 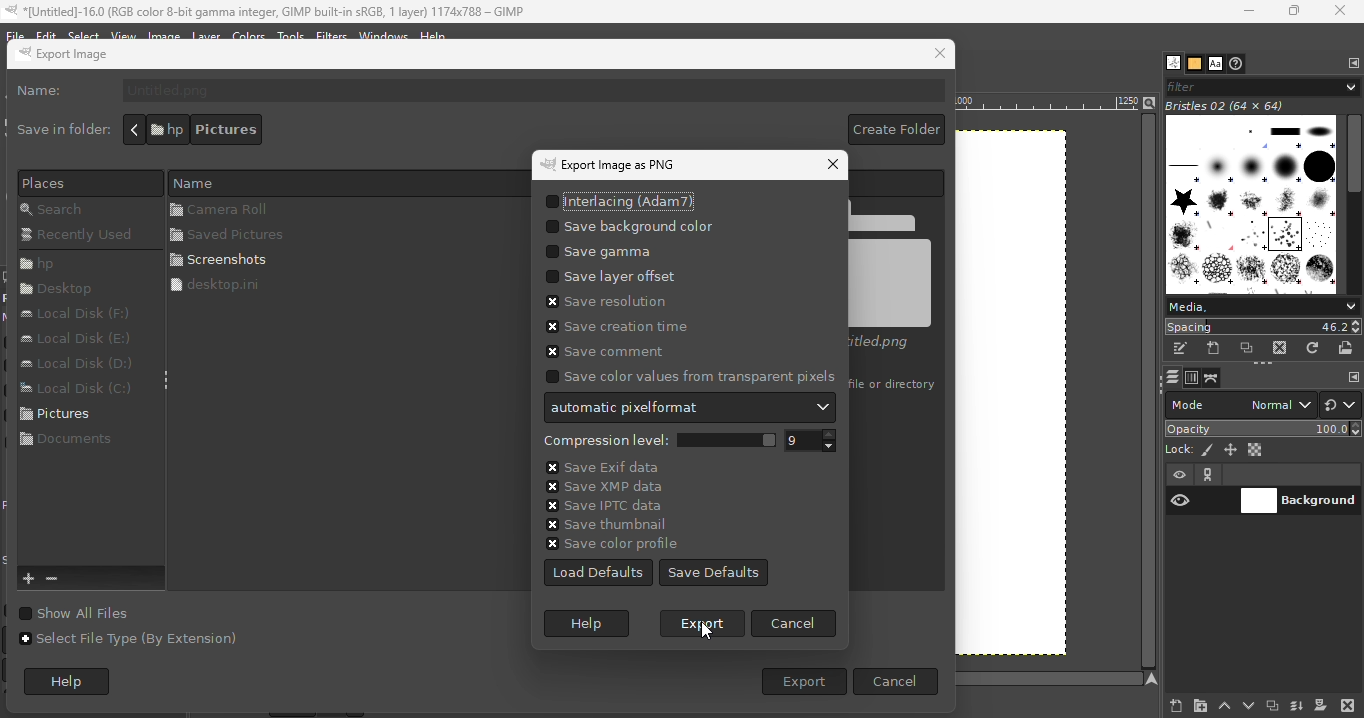 I want to click on Local dsk (E:), so click(x=76, y=340).